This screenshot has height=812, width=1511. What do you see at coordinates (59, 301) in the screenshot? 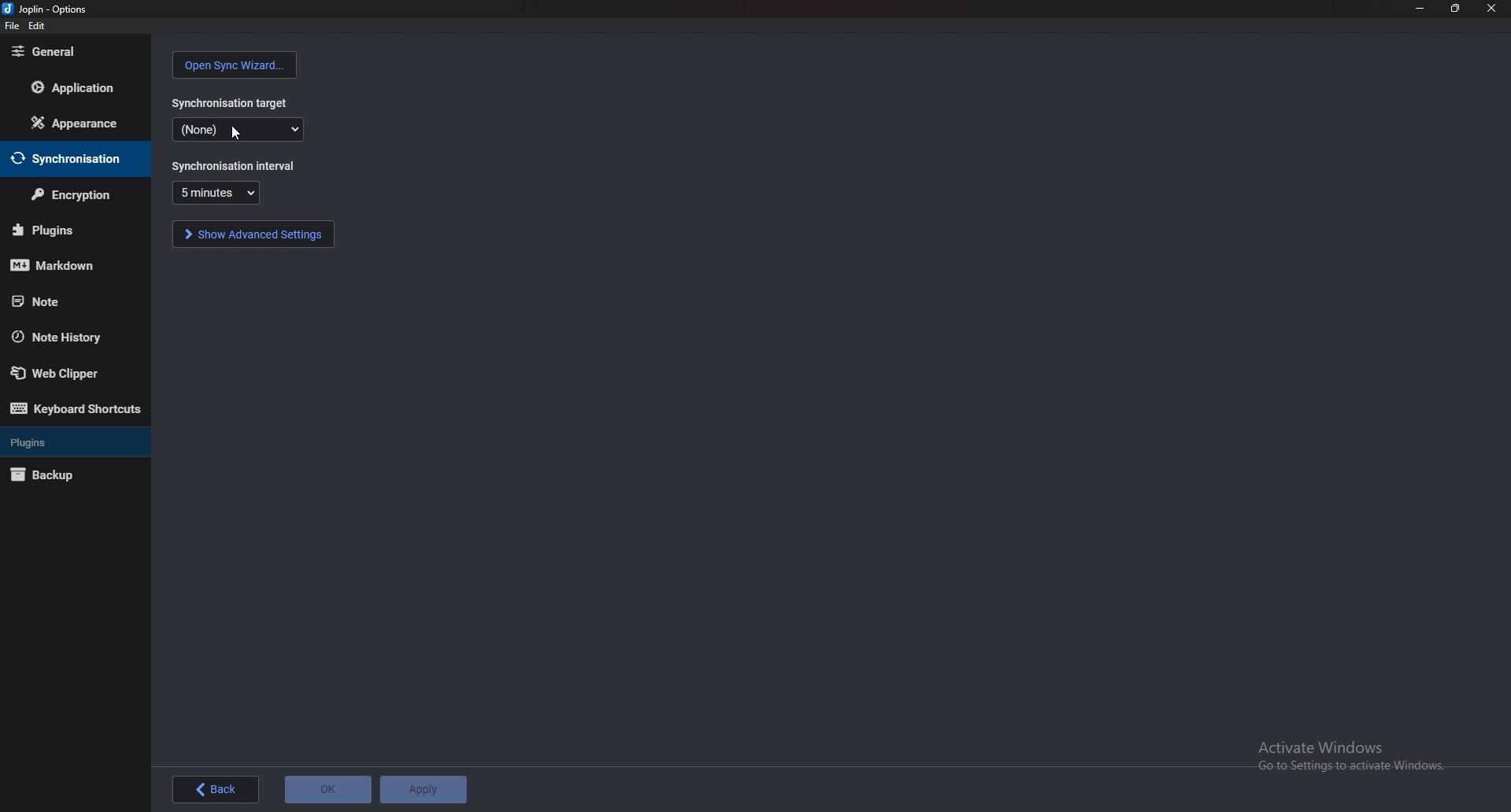
I see `note` at bounding box center [59, 301].